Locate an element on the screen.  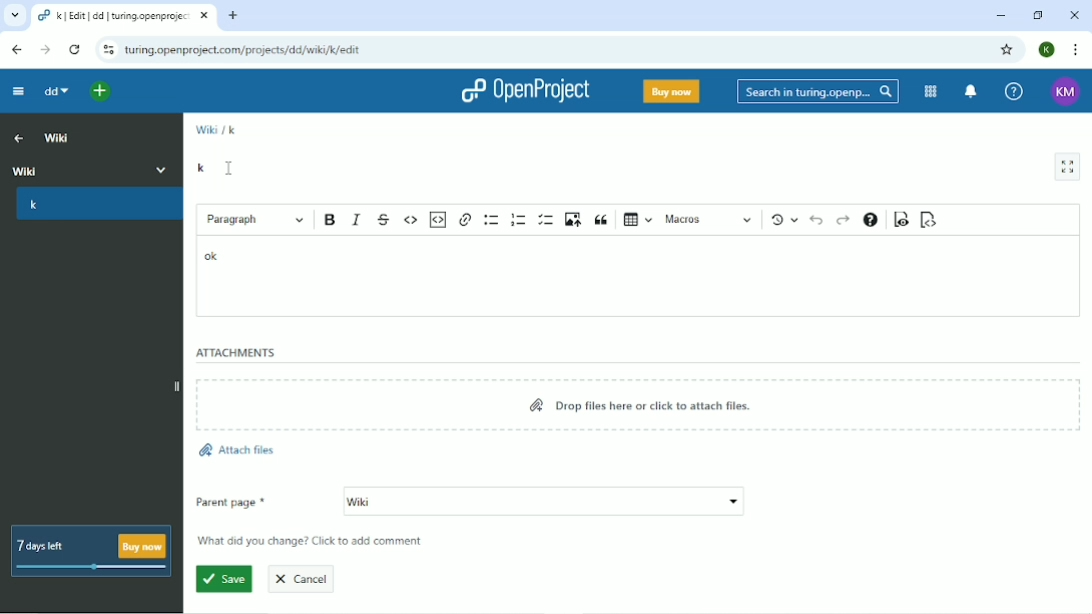
To-do list is located at coordinates (545, 220).